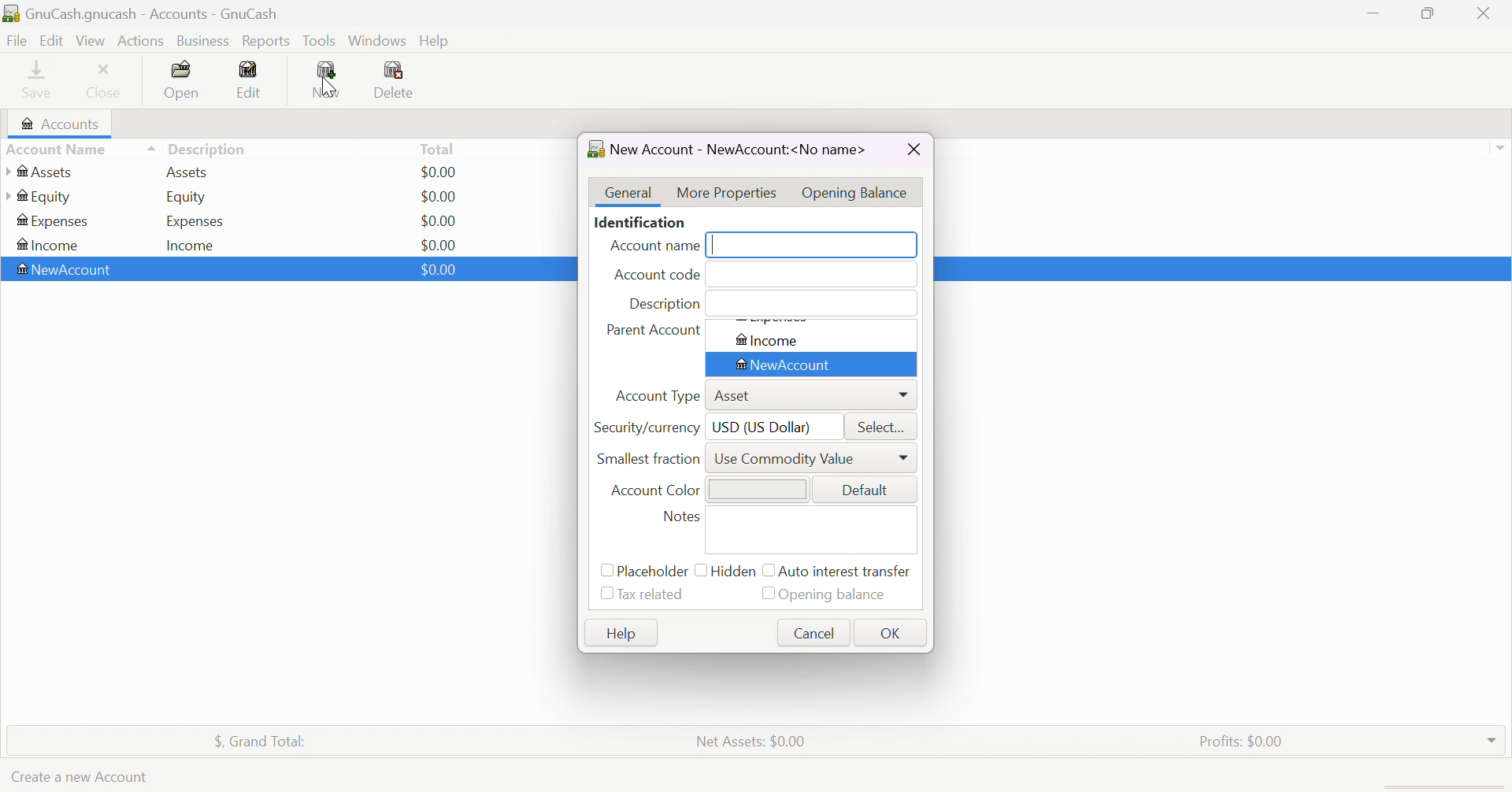  Describe the element at coordinates (212, 148) in the screenshot. I see `Description` at that location.